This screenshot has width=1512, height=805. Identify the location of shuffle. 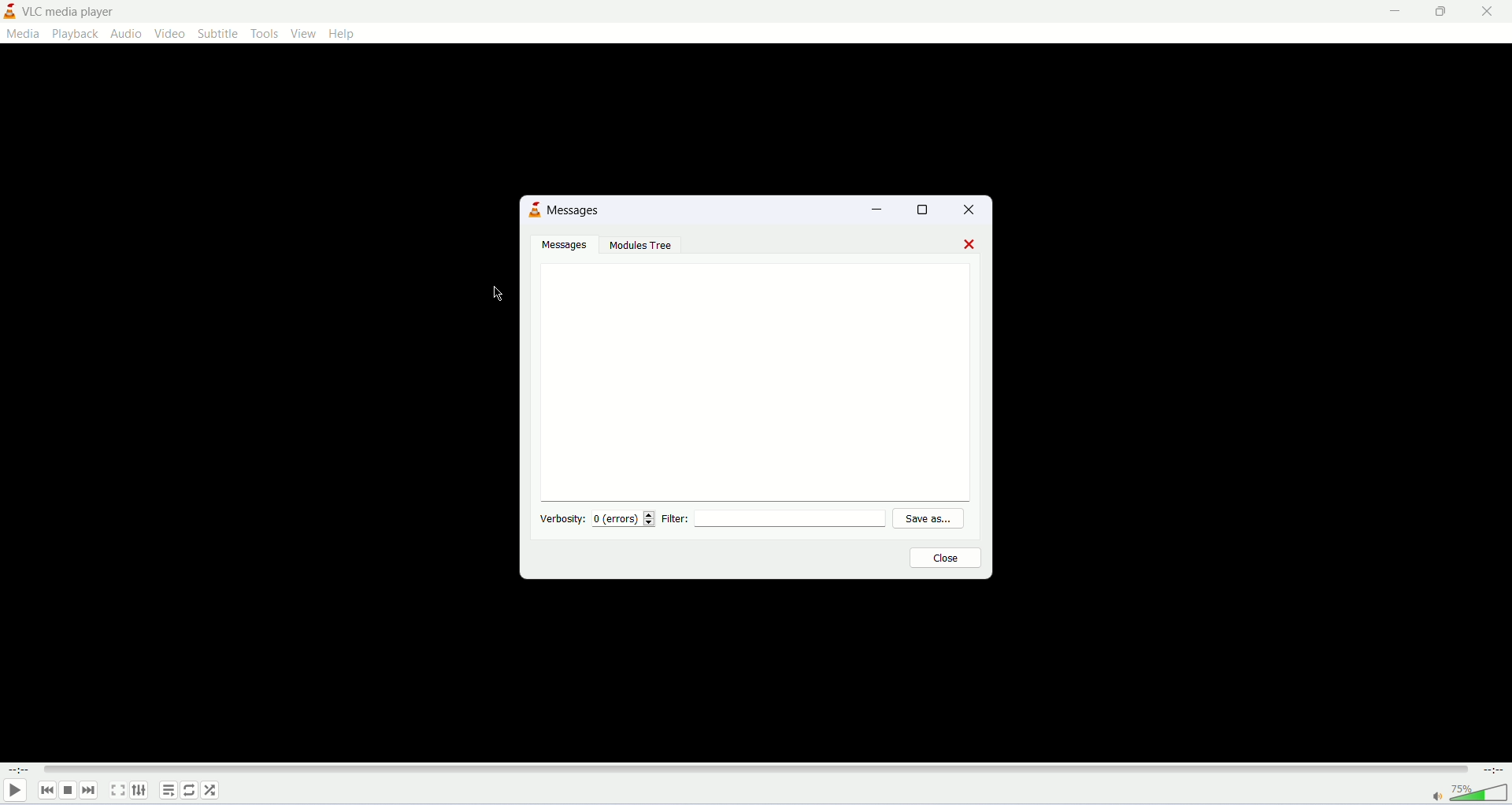
(212, 790).